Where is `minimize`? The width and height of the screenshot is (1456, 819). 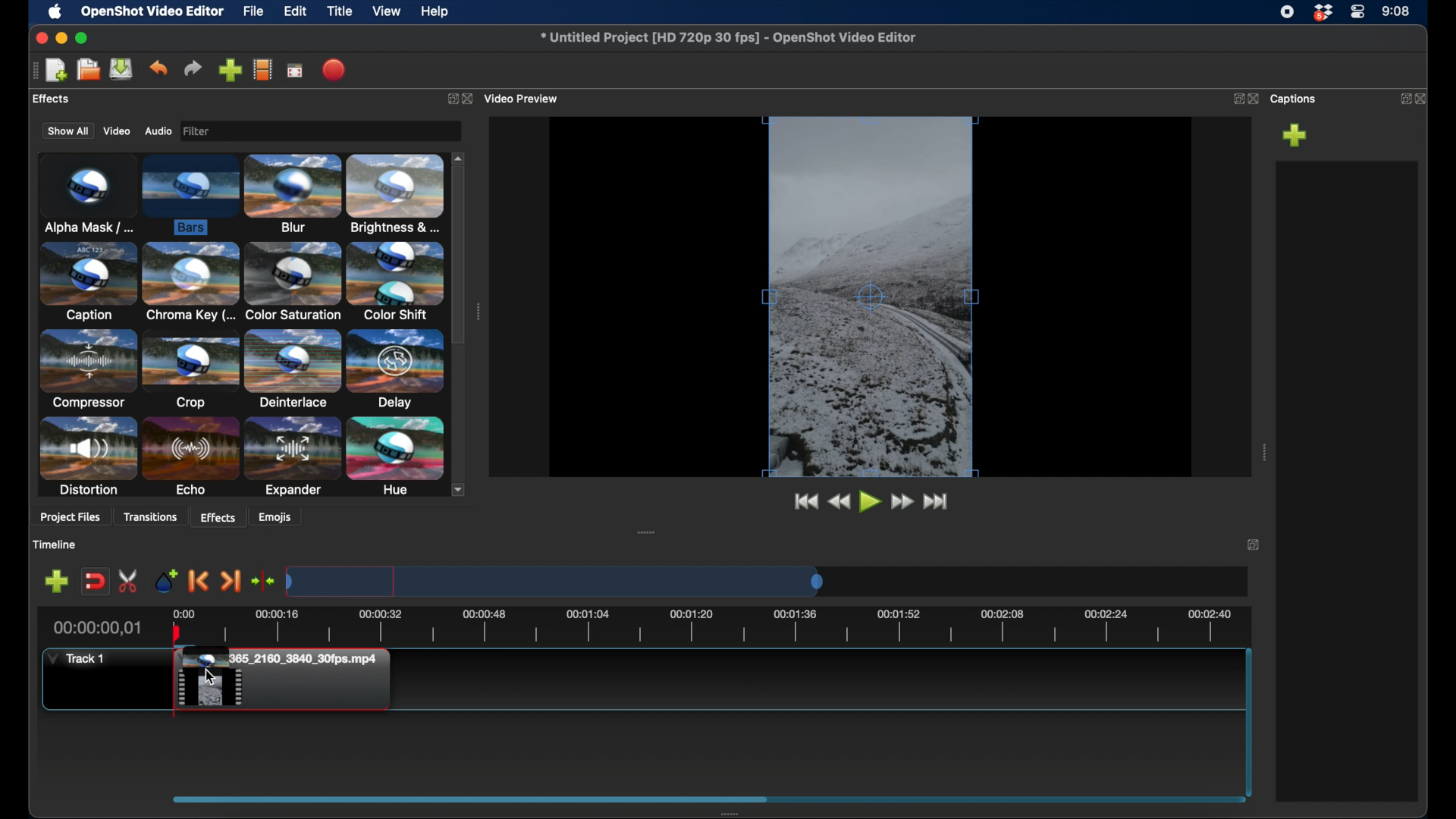 minimize is located at coordinates (63, 38).